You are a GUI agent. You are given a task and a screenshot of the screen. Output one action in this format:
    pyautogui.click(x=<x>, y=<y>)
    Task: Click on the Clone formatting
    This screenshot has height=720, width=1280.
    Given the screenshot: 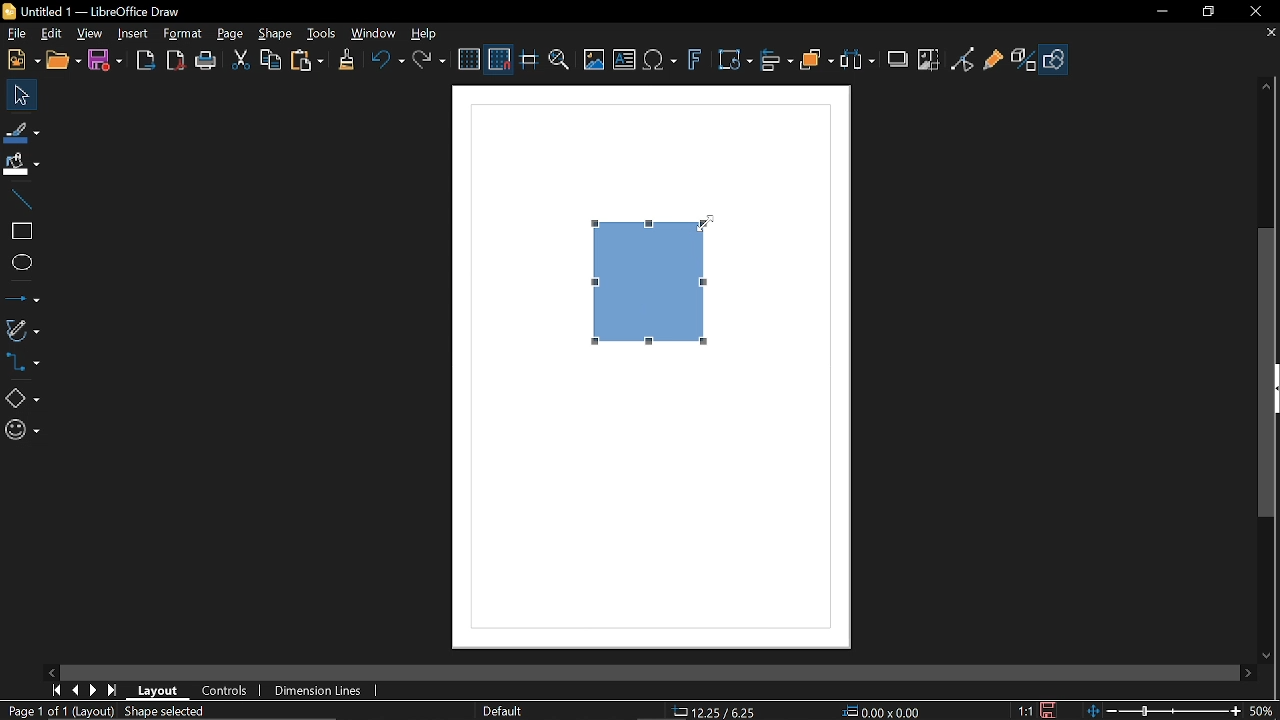 What is the action you would take?
    pyautogui.click(x=346, y=60)
    